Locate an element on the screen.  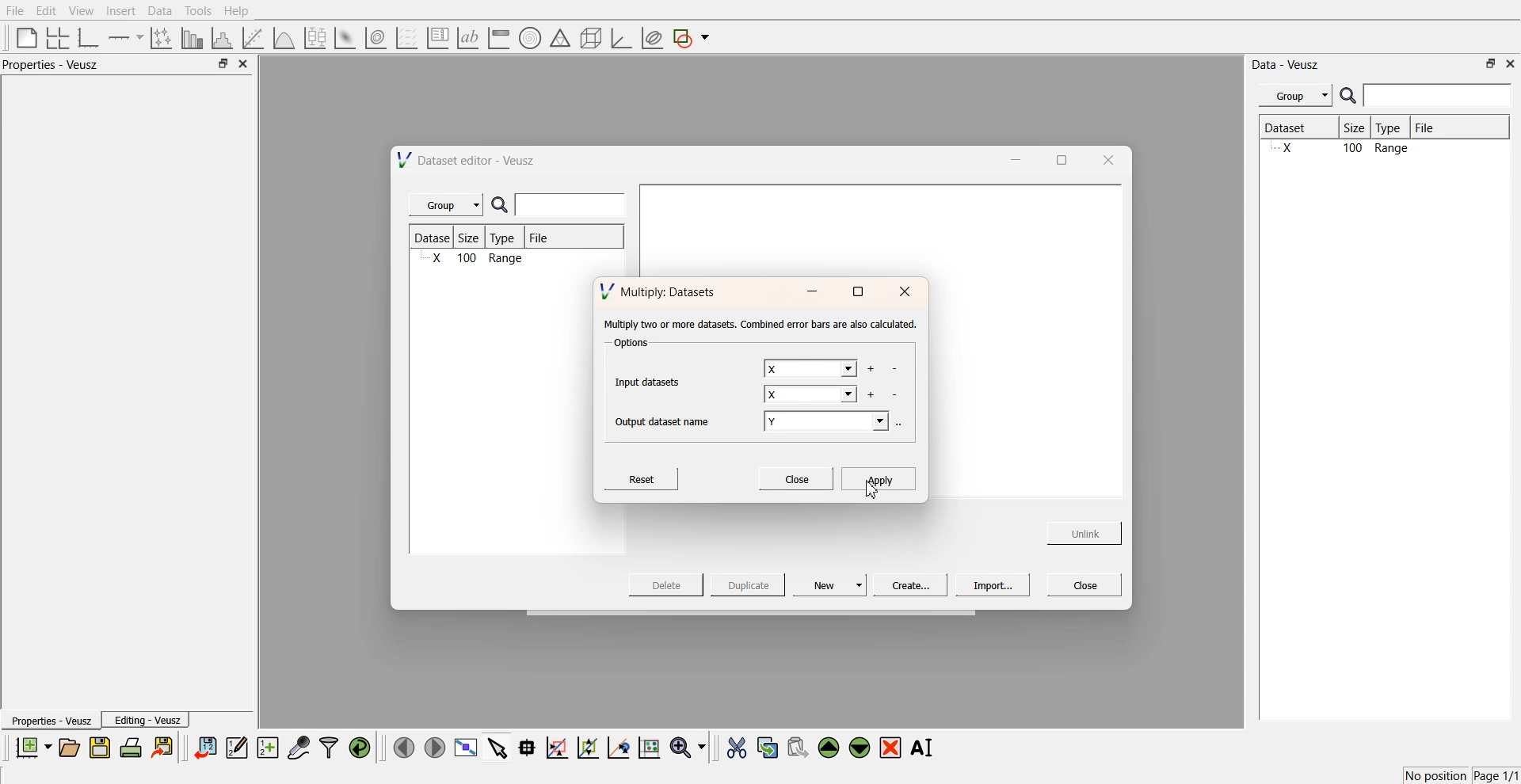
X is located at coordinates (809, 369).